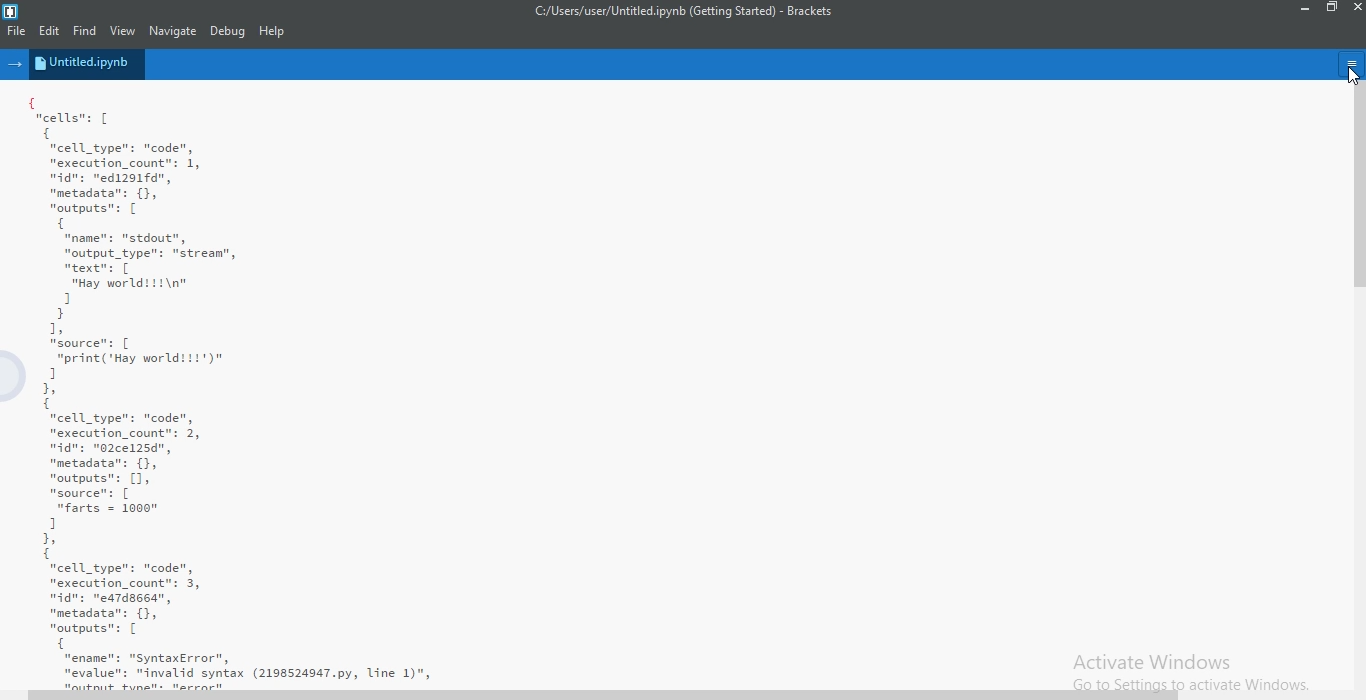 Image resolution: width=1366 pixels, height=700 pixels. Describe the element at coordinates (1302, 9) in the screenshot. I see `minimise` at that location.